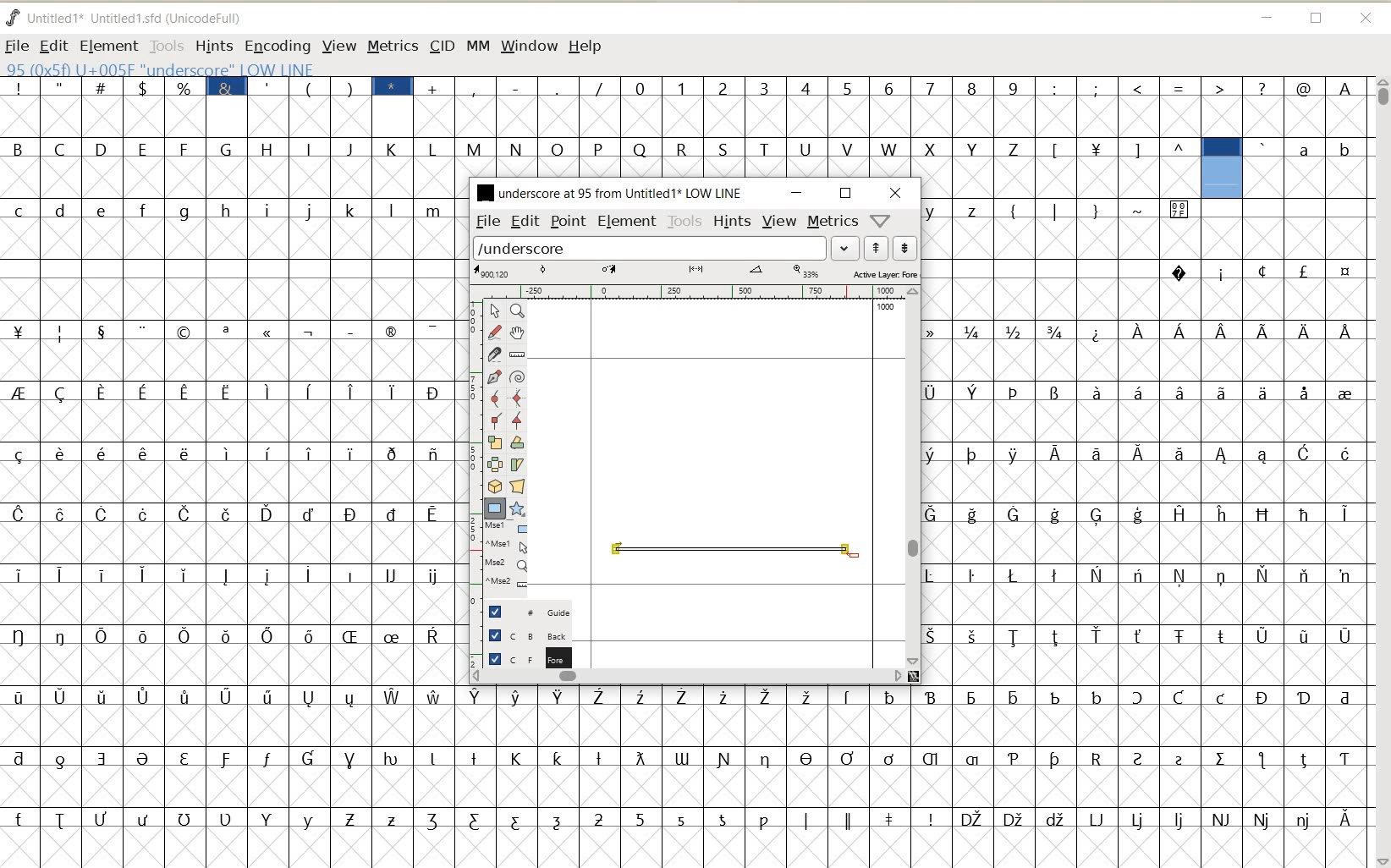 The height and width of the screenshot is (868, 1391). What do you see at coordinates (518, 354) in the screenshot?
I see `measure a distance, angle between points` at bounding box center [518, 354].